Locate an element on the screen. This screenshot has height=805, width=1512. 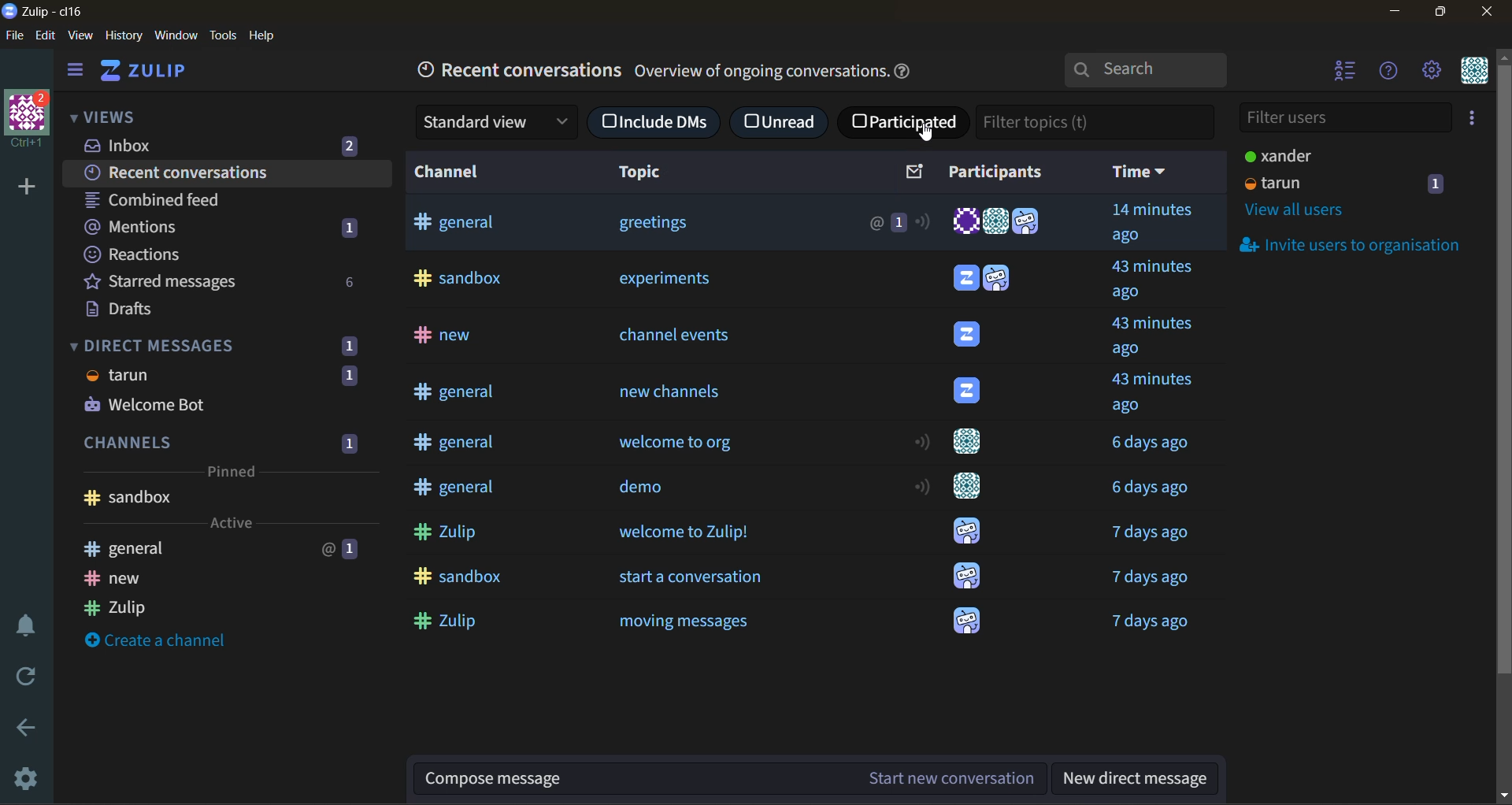
recent conversations is located at coordinates (518, 71).